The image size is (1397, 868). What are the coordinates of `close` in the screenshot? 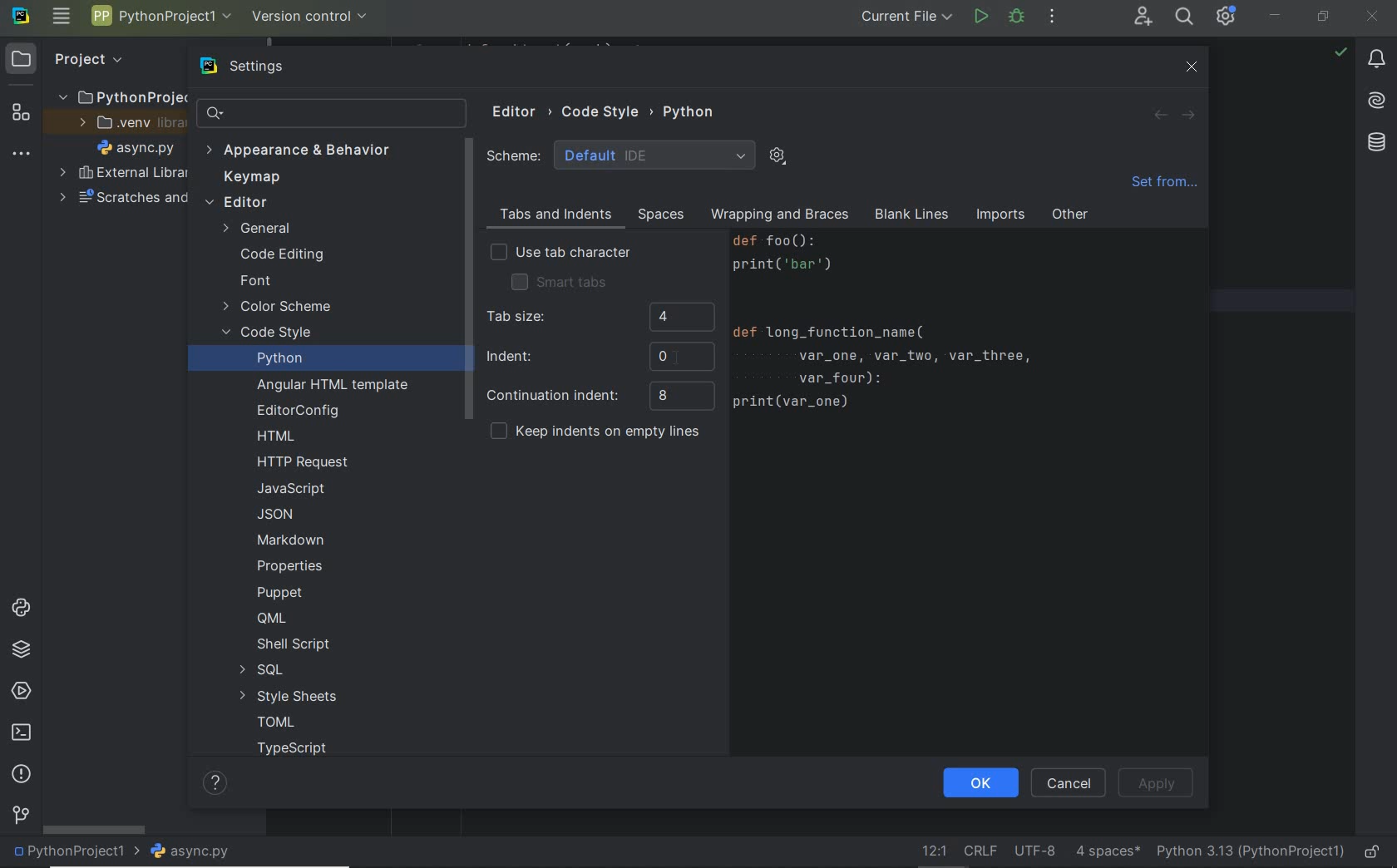 It's located at (1375, 18).